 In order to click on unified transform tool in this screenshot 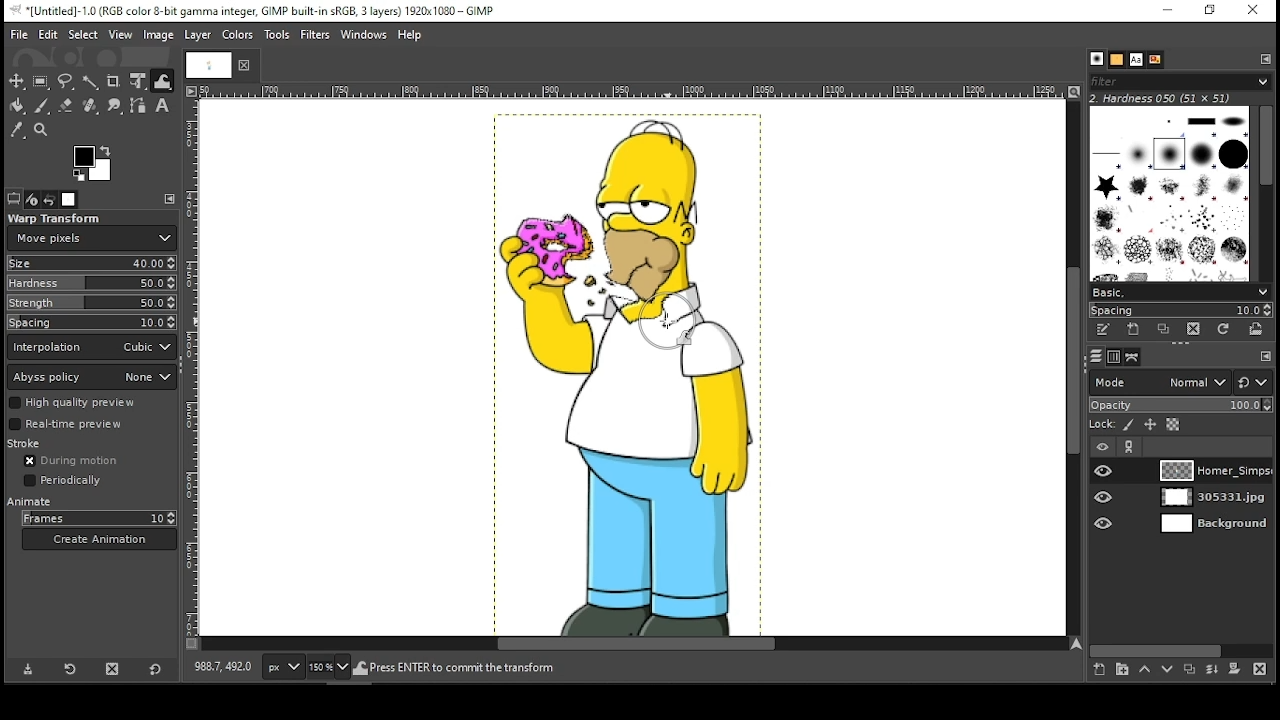, I will do `click(140, 82)`.